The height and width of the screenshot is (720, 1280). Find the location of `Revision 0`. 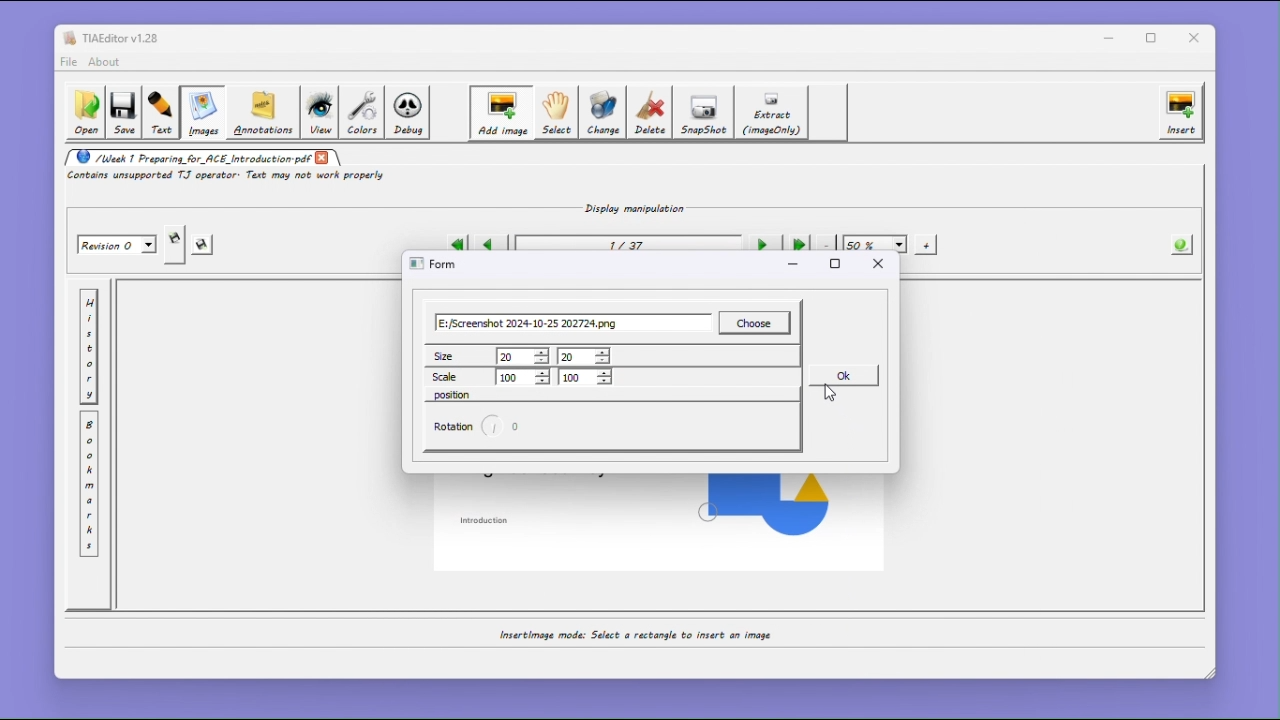

Revision 0 is located at coordinates (118, 245).